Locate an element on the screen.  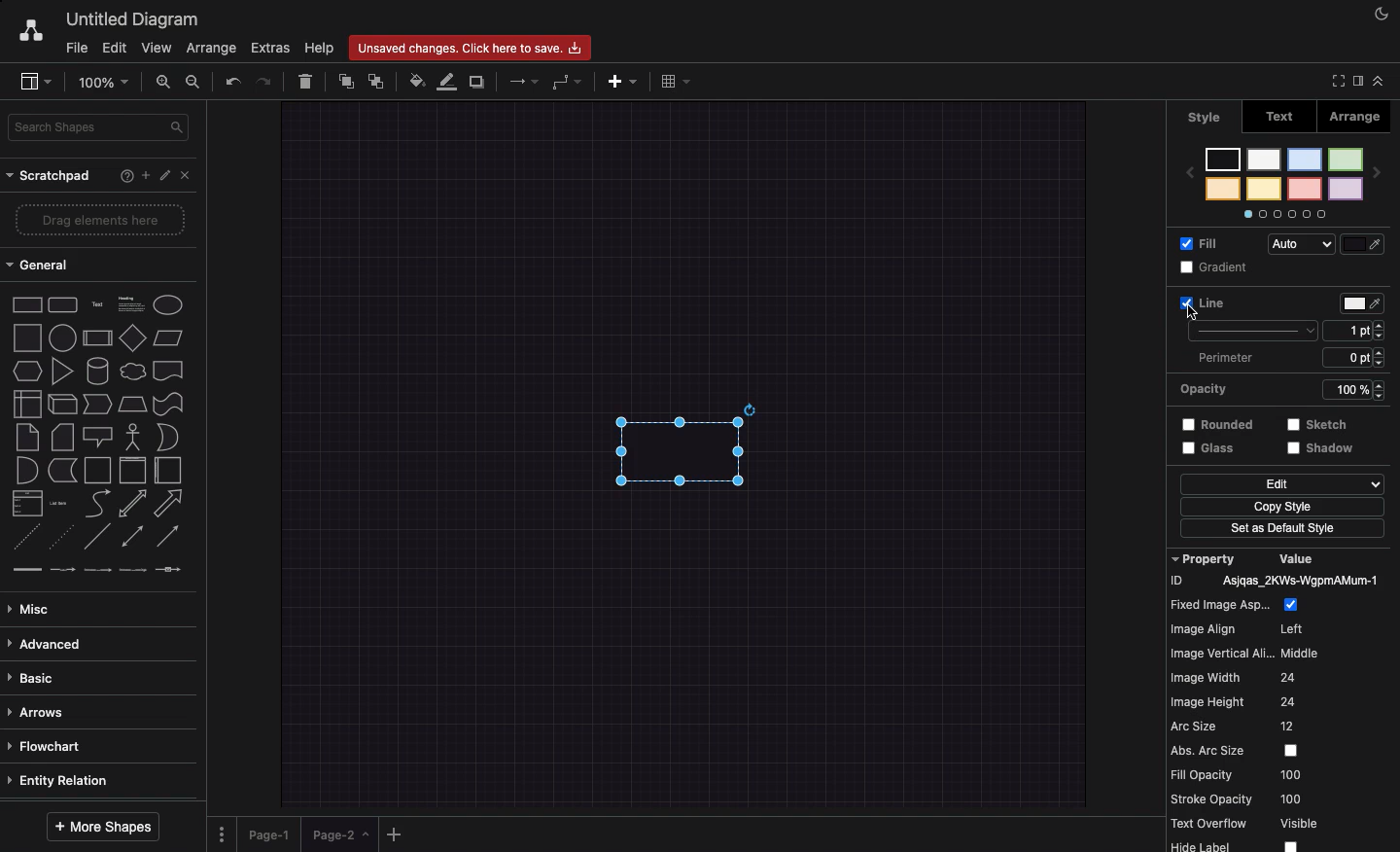
Set as default style is located at coordinates (1284, 530).